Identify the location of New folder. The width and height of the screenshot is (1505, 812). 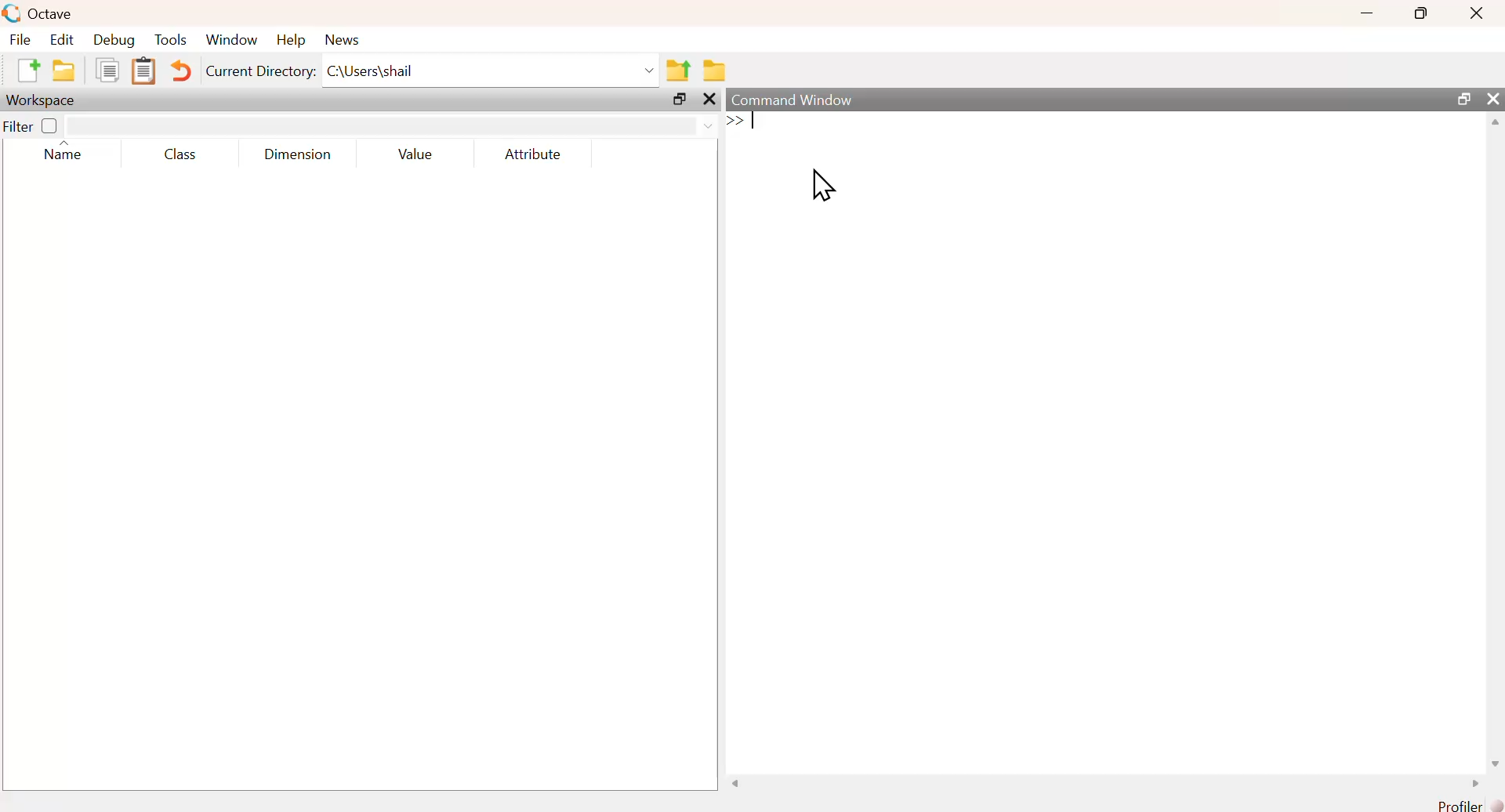
(65, 70).